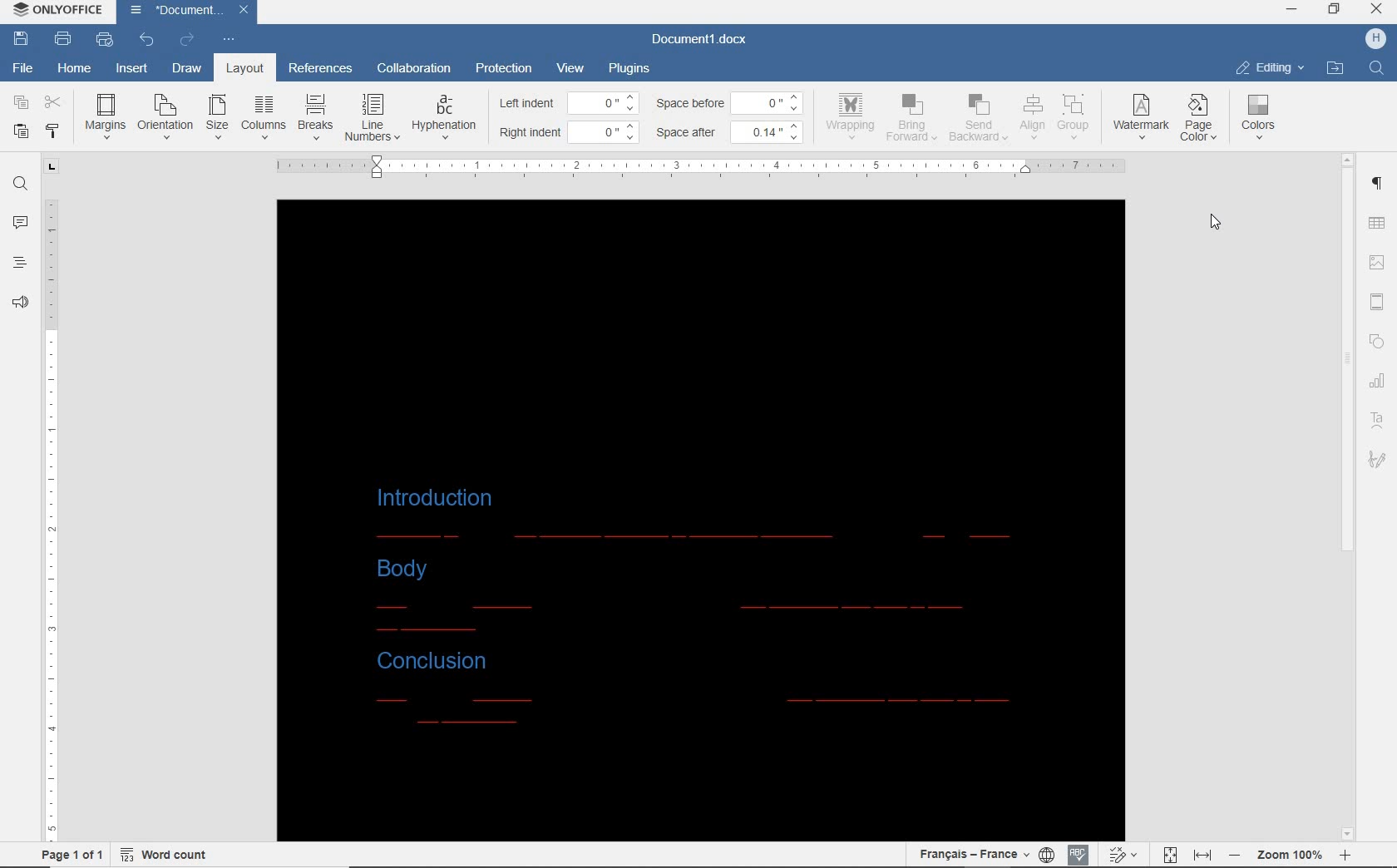  I want to click on track changes, so click(1125, 851).